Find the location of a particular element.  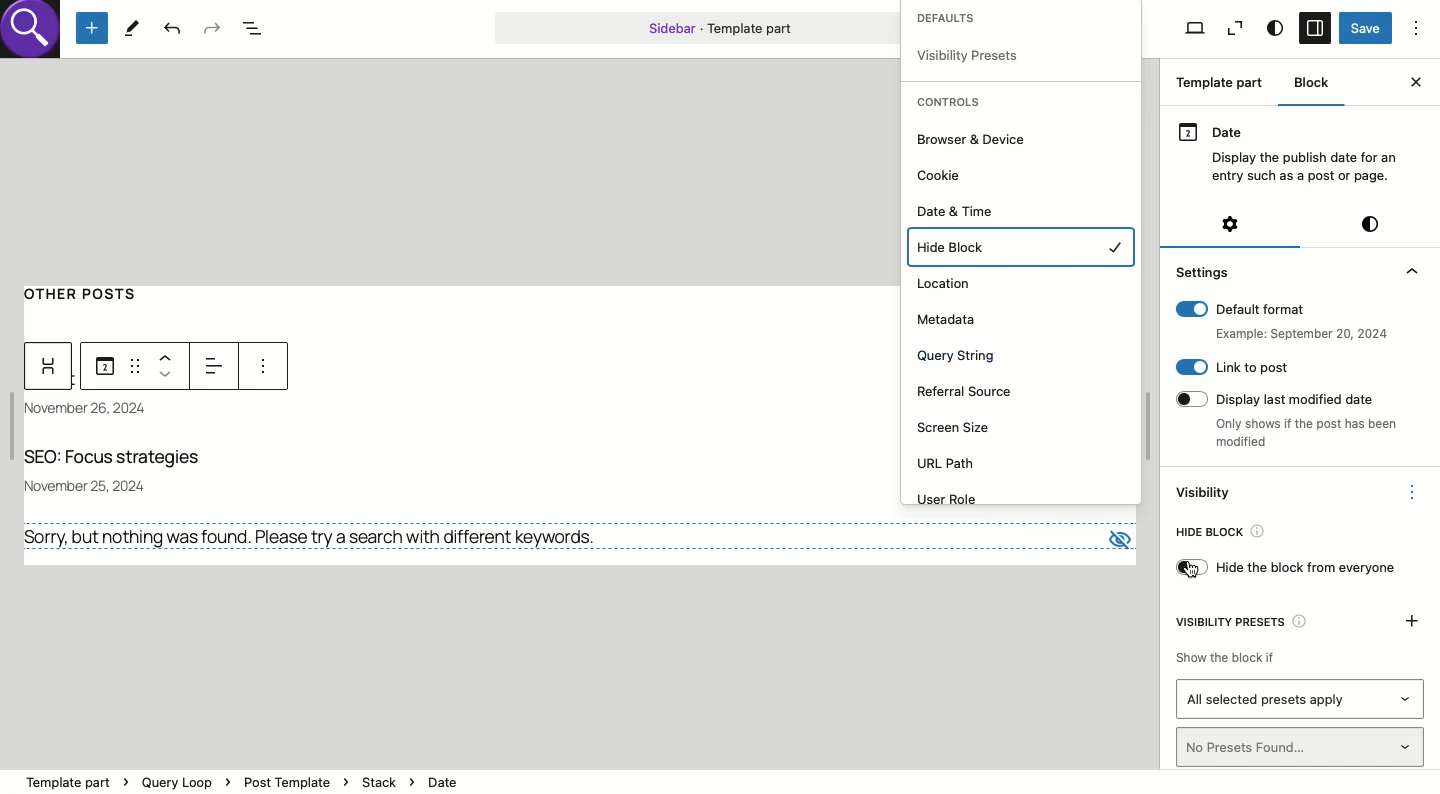

Hide block is located at coordinates (1024, 246).